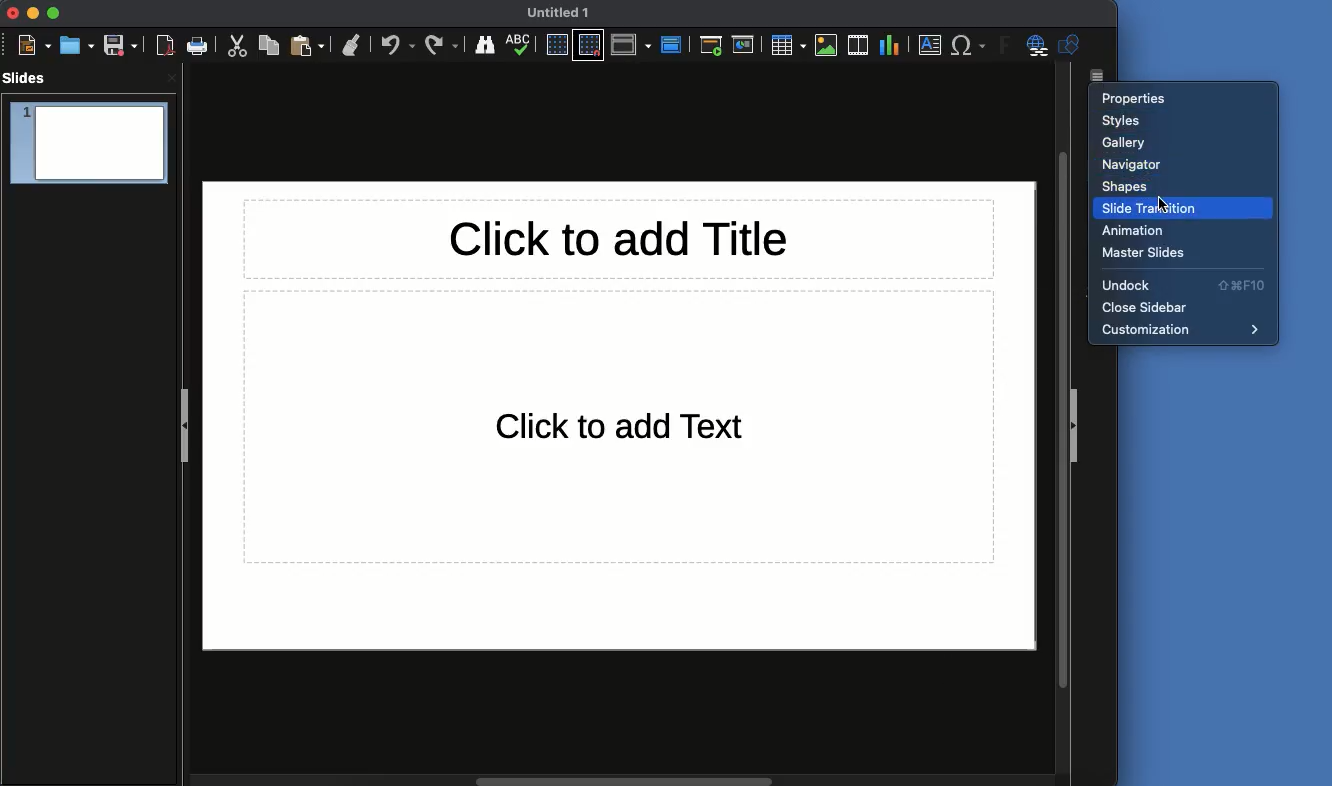 The image size is (1332, 786). I want to click on Collapse, so click(1082, 426).